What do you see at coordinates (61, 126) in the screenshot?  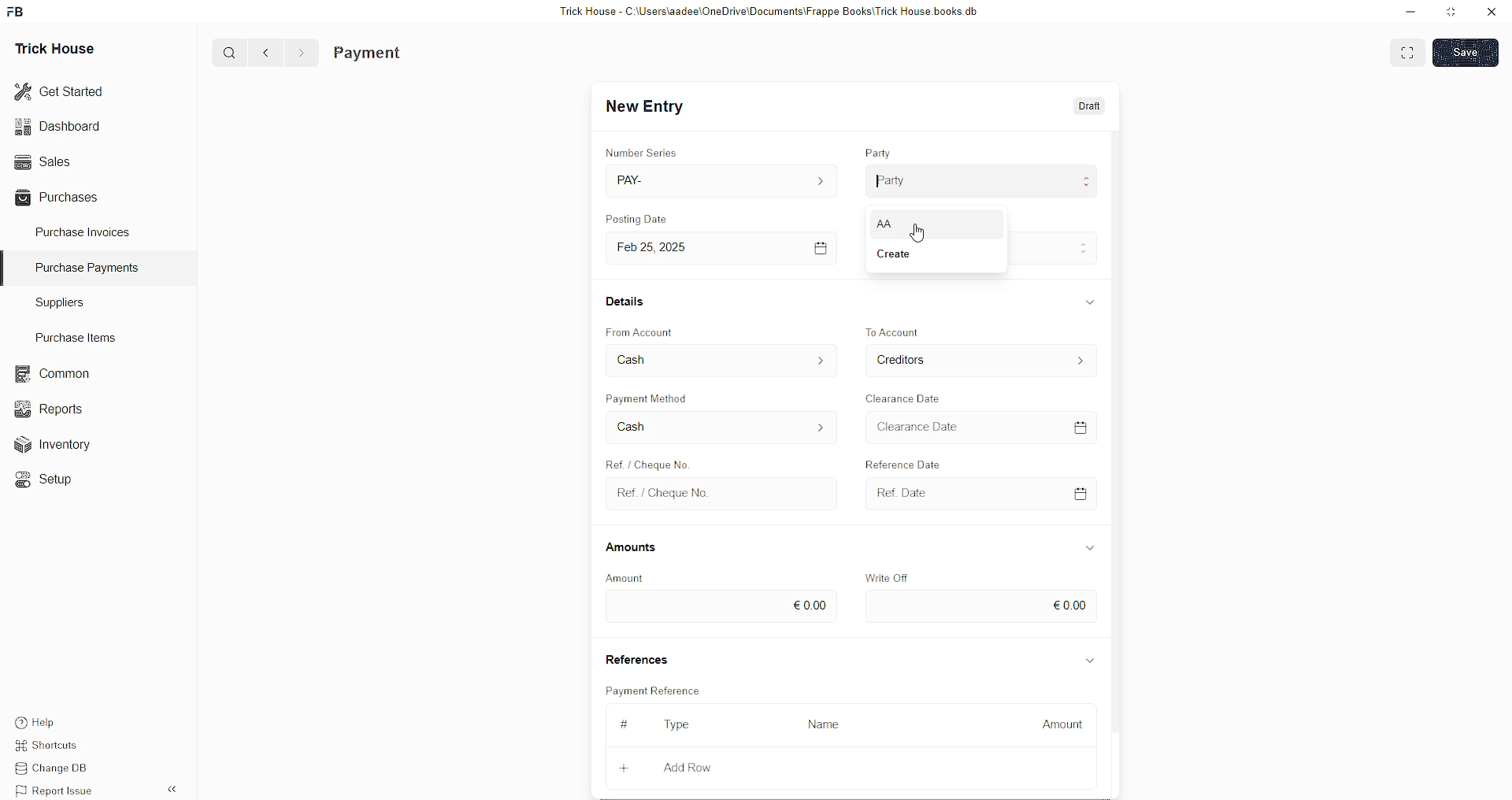 I see `Dashboard` at bounding box center [61, 126].